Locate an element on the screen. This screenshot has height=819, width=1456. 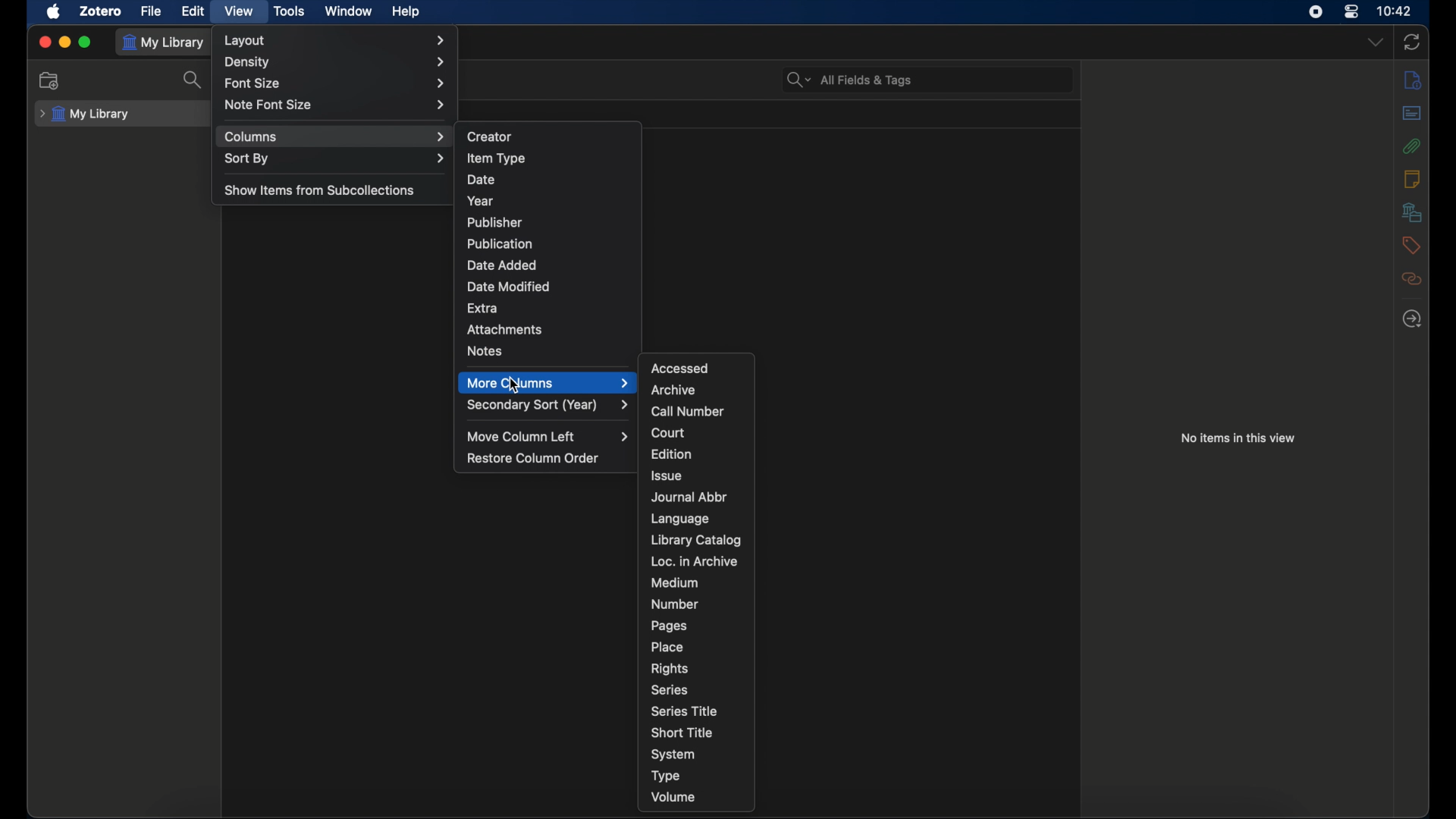
volume is located at coordinates (674, 797).